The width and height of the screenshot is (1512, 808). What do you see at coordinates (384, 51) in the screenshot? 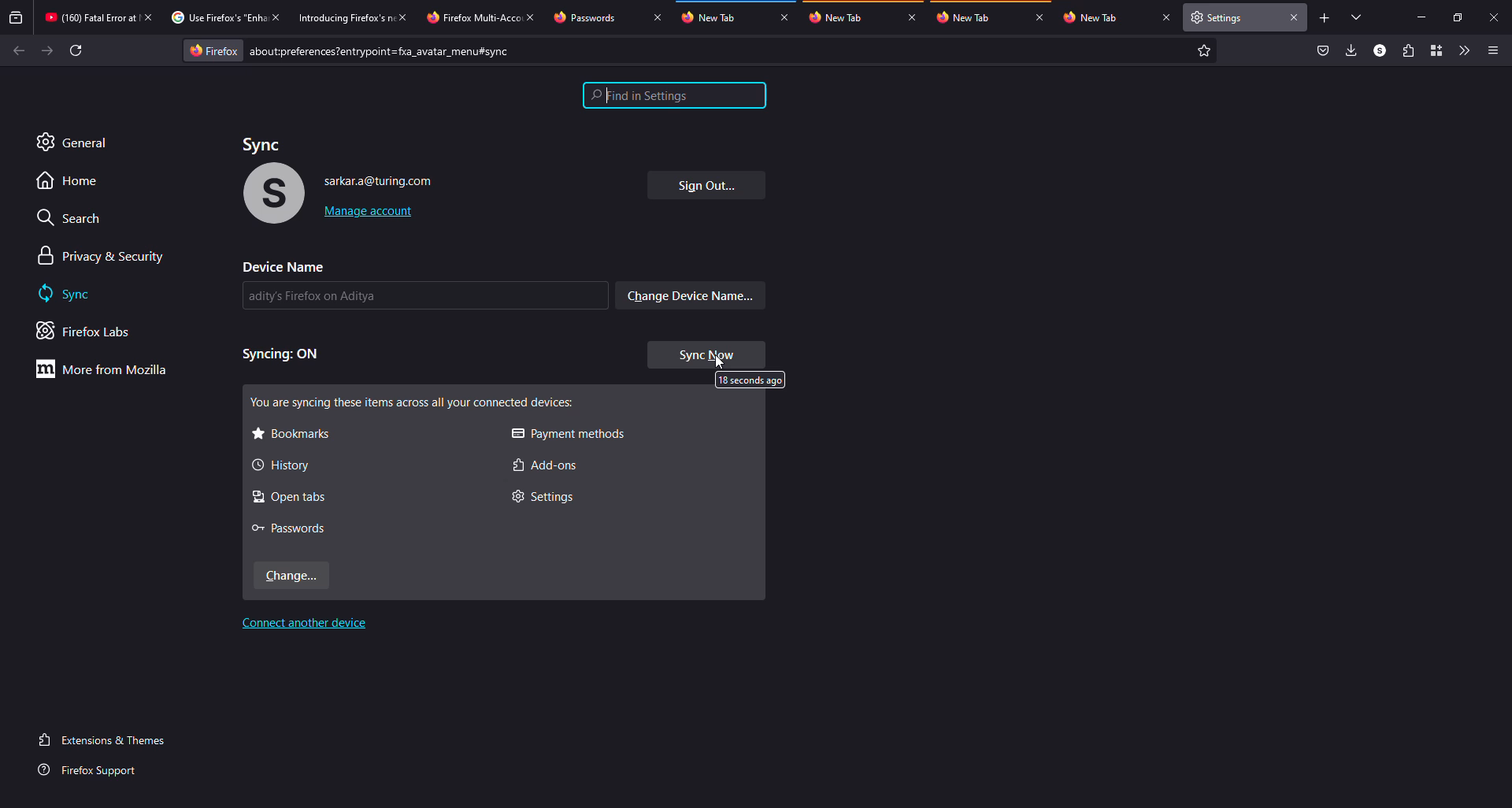
I see `prefernces` at bounding box center [384, 51].